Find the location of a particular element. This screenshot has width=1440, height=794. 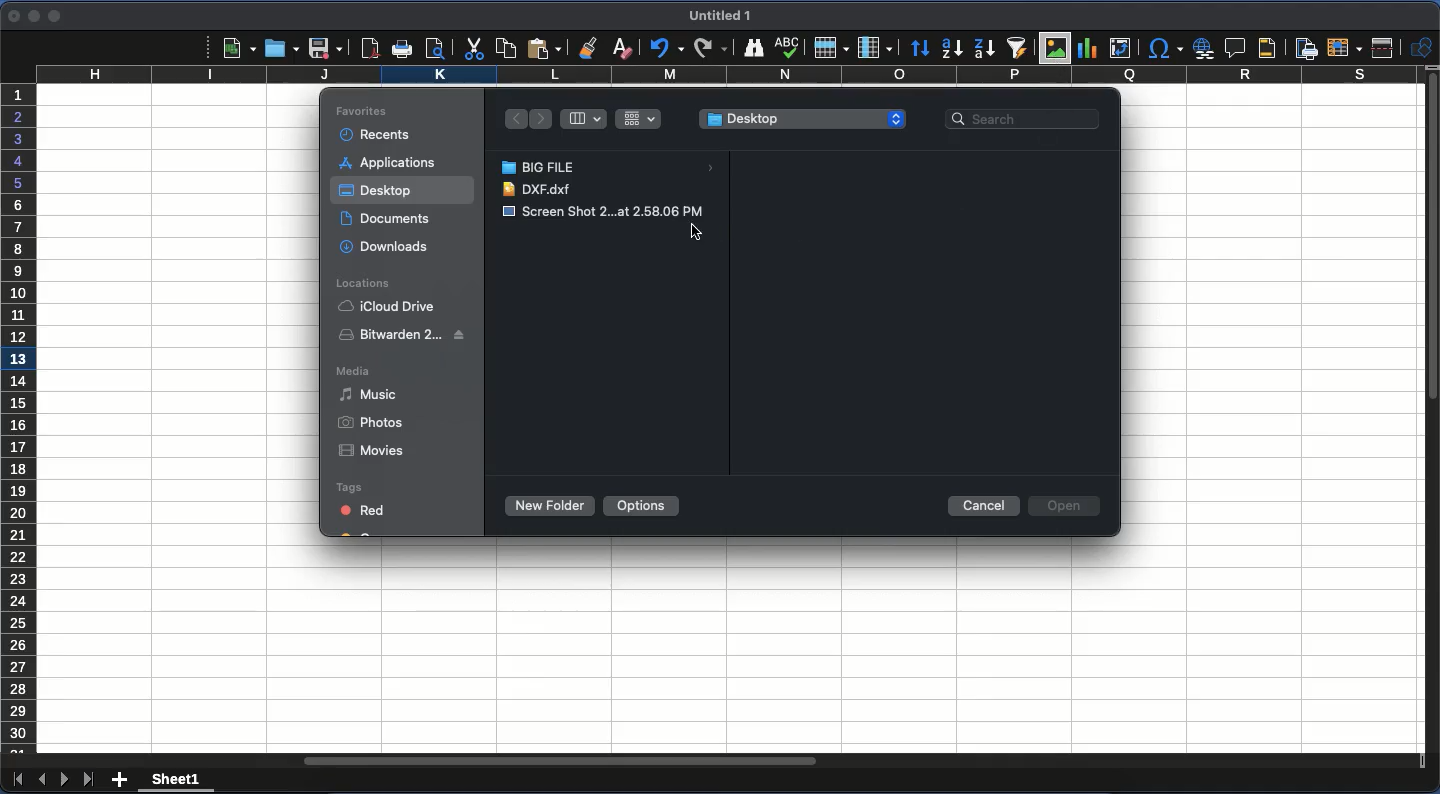

recents is located at coordinates (373, 136).